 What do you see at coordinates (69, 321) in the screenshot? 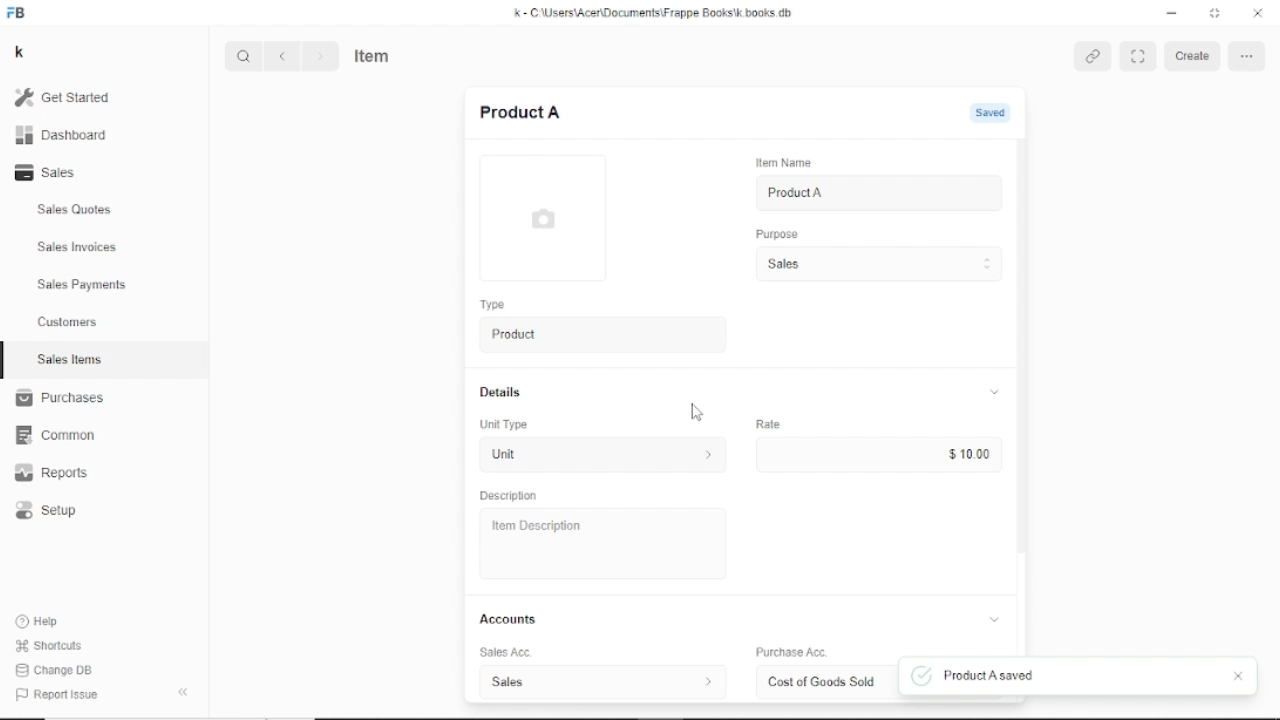
I see `Customers` at bounding box center [69, 321].